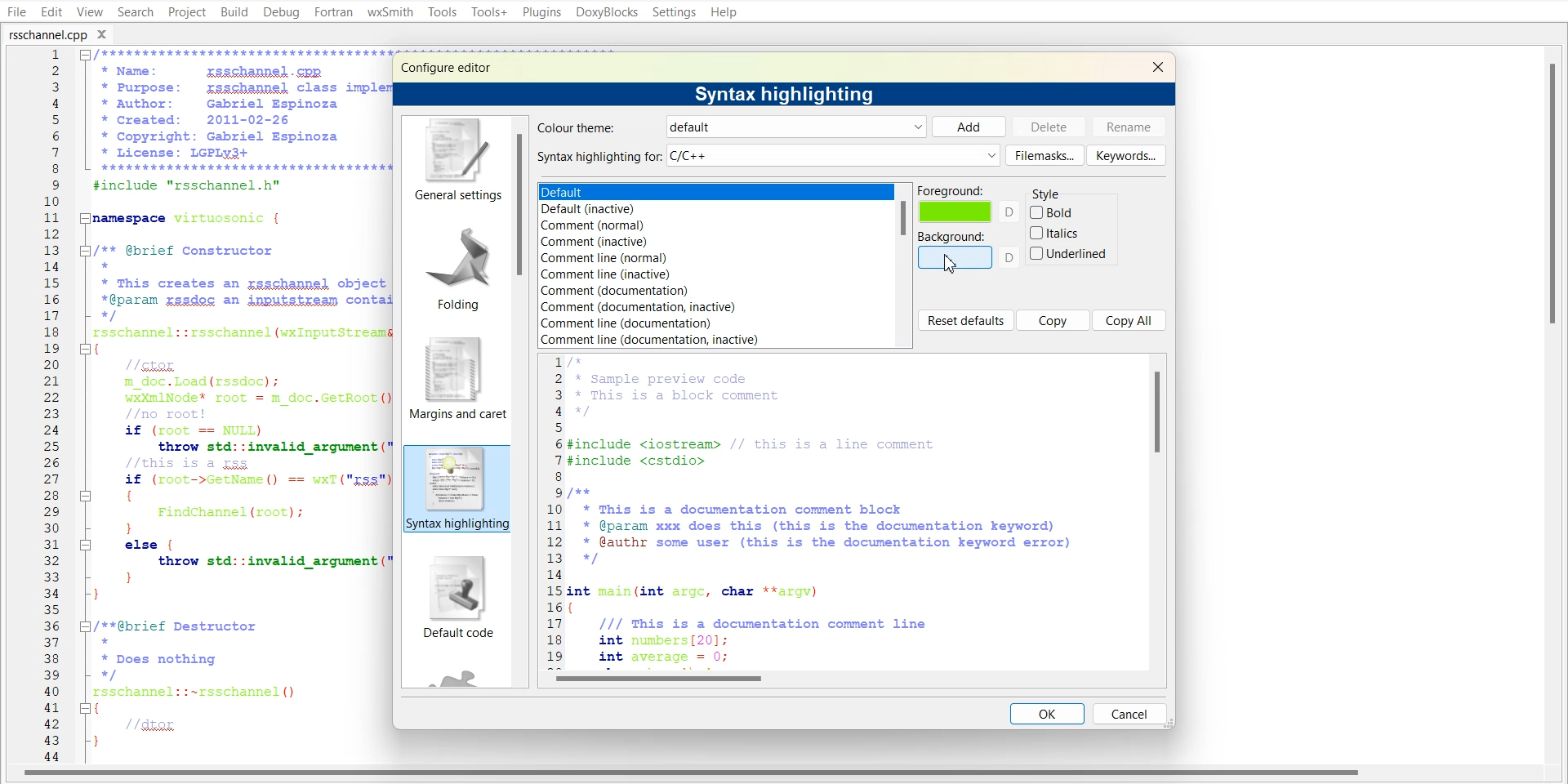  What do you see at coordinates (969, 204) in the screenshot?
I see `Foreground` at bounding box center [969, 204].